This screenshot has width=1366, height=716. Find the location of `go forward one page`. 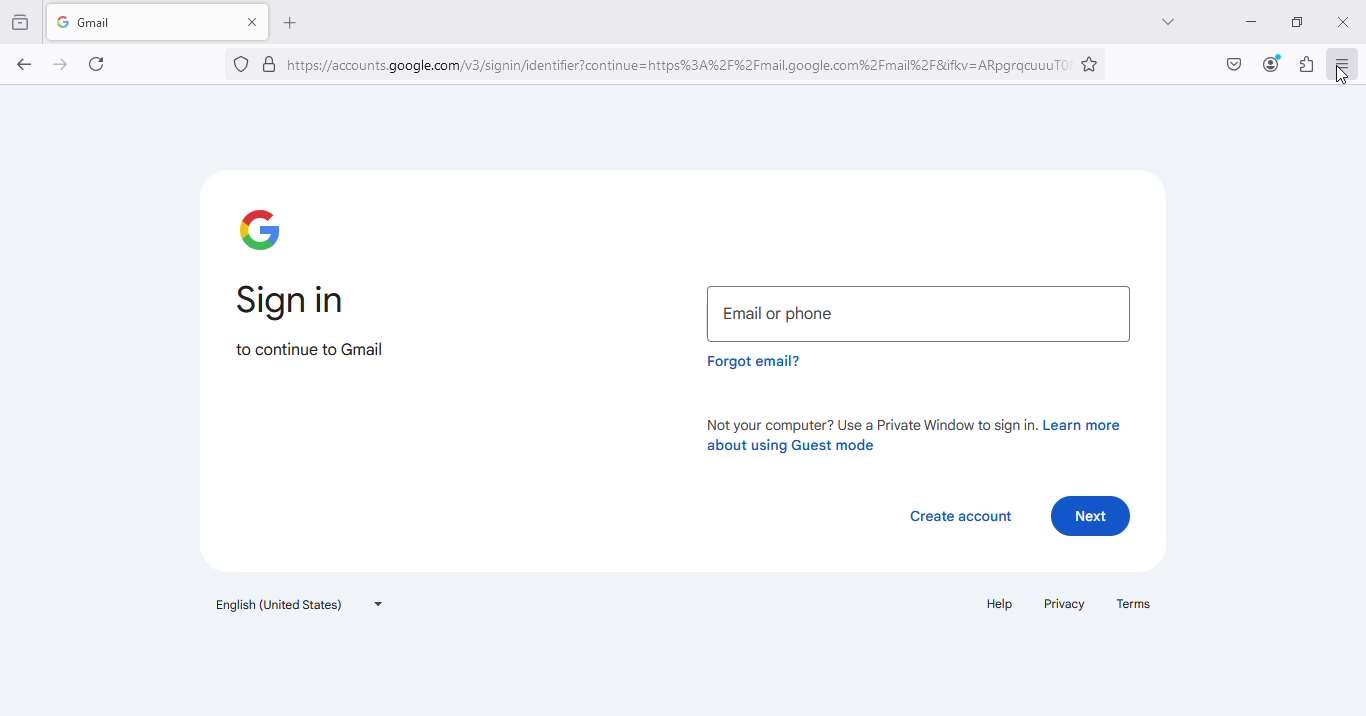

go forward one page is located at coordinates (61, 65).